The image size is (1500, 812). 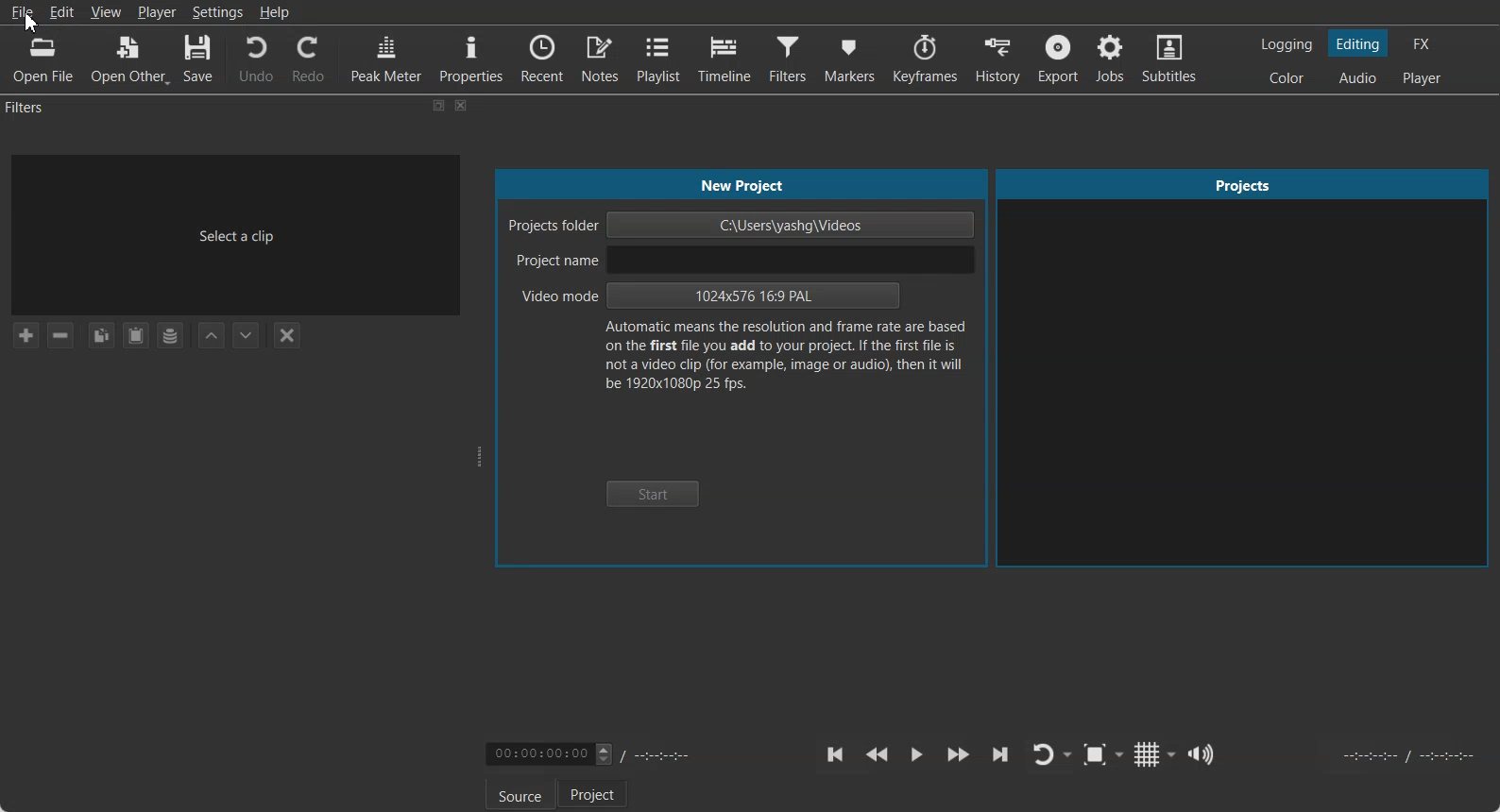 What do you see at coordinates (1244, 369) in the screenshot?
I see `Project Preview` at bounding box center [1244, 369].